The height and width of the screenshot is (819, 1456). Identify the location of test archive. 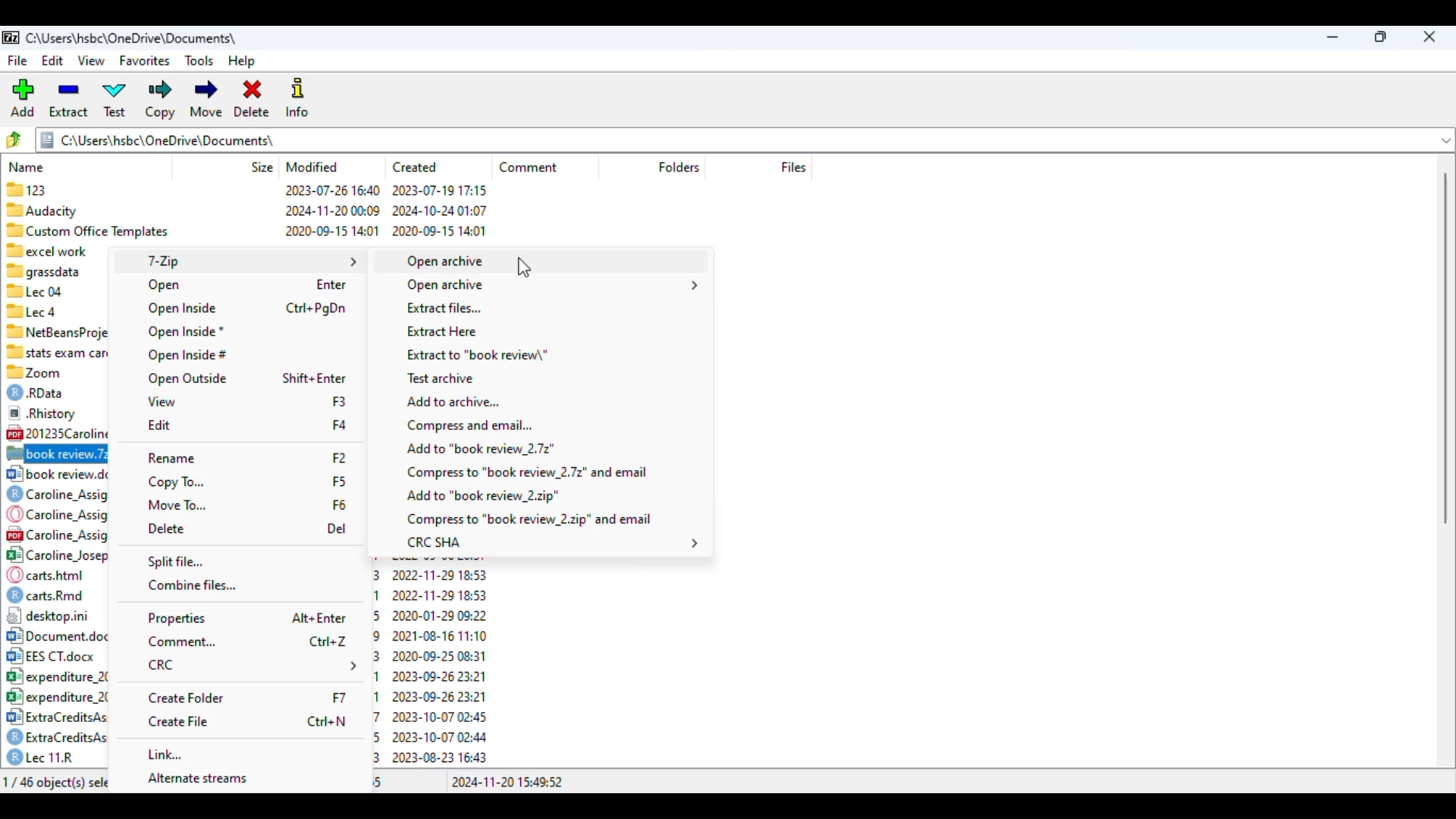
(441, 380).